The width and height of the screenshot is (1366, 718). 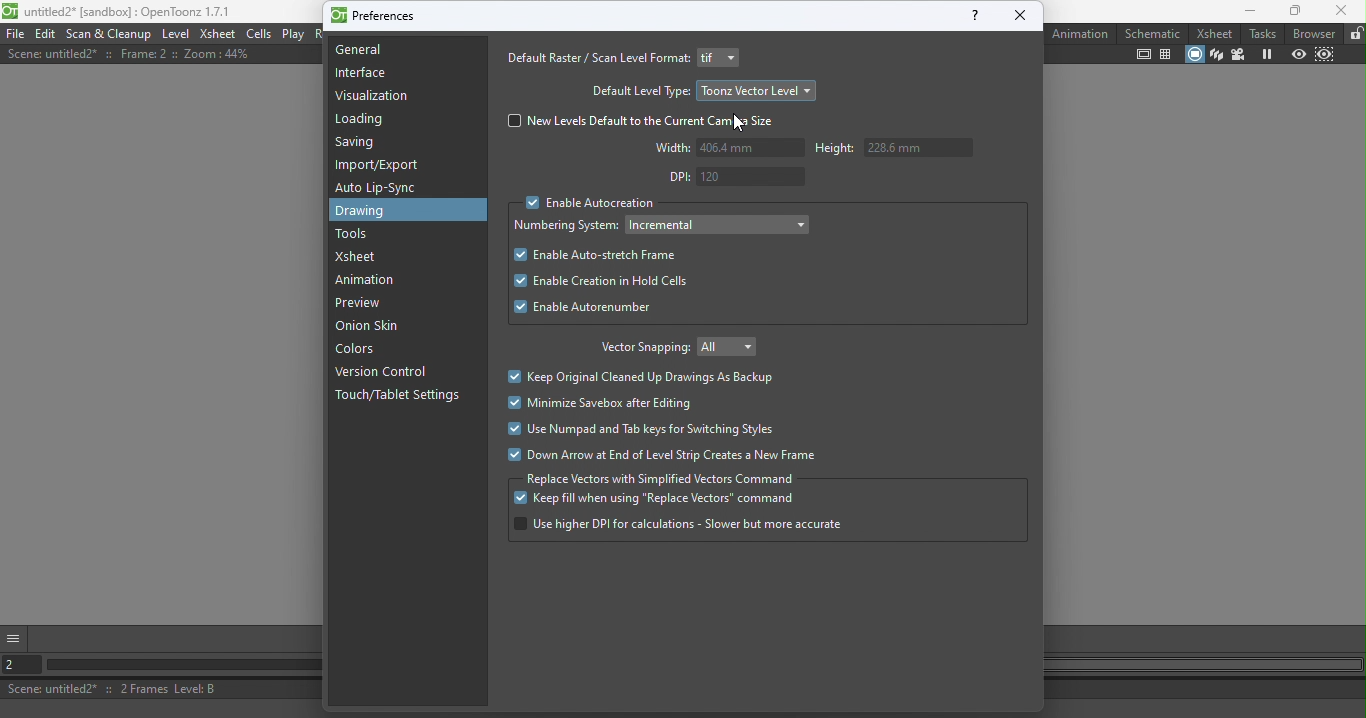 I want to click on Xsheet, so click(x=1211, y=32).